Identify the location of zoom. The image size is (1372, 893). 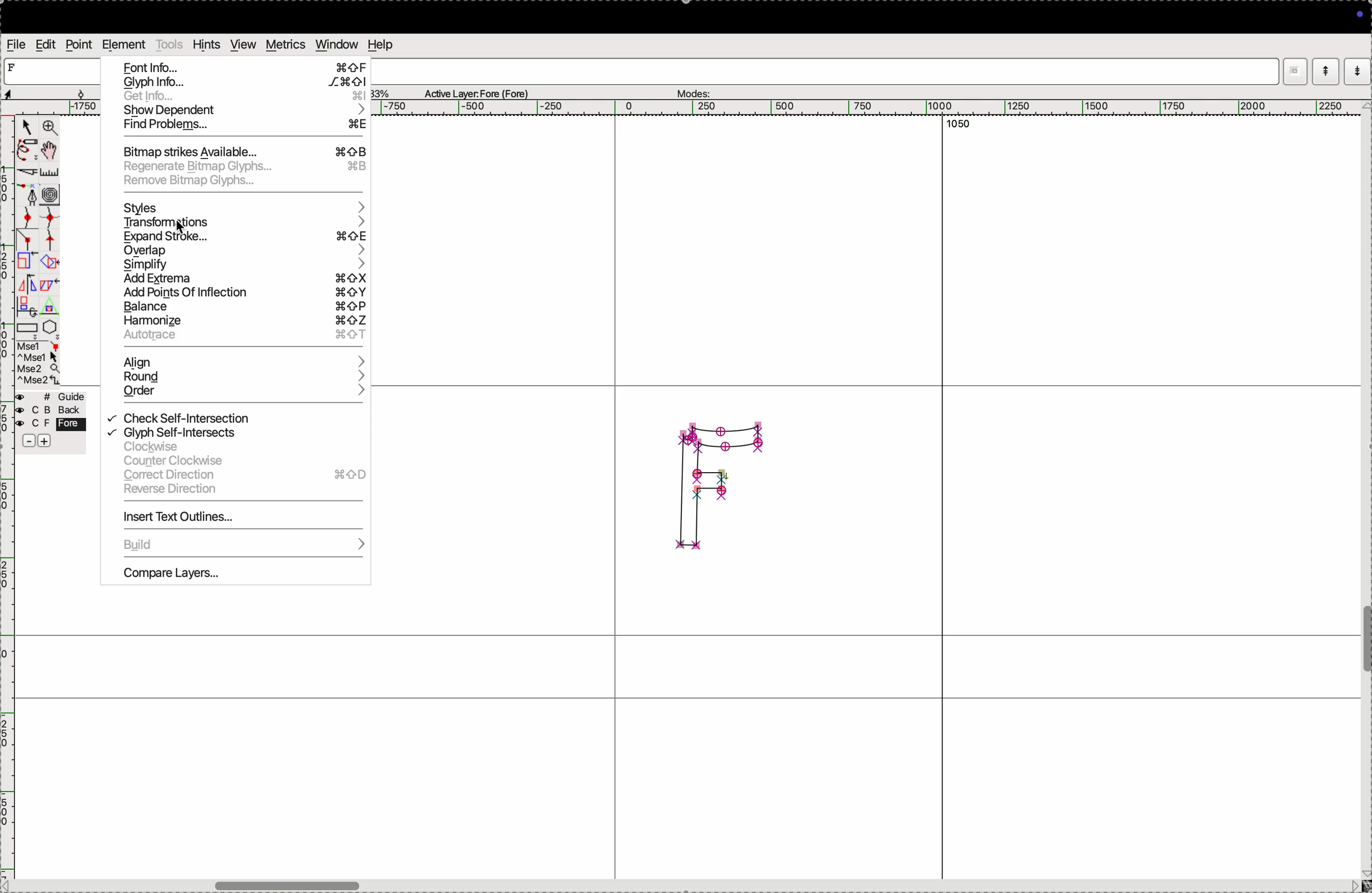
(50, 129).